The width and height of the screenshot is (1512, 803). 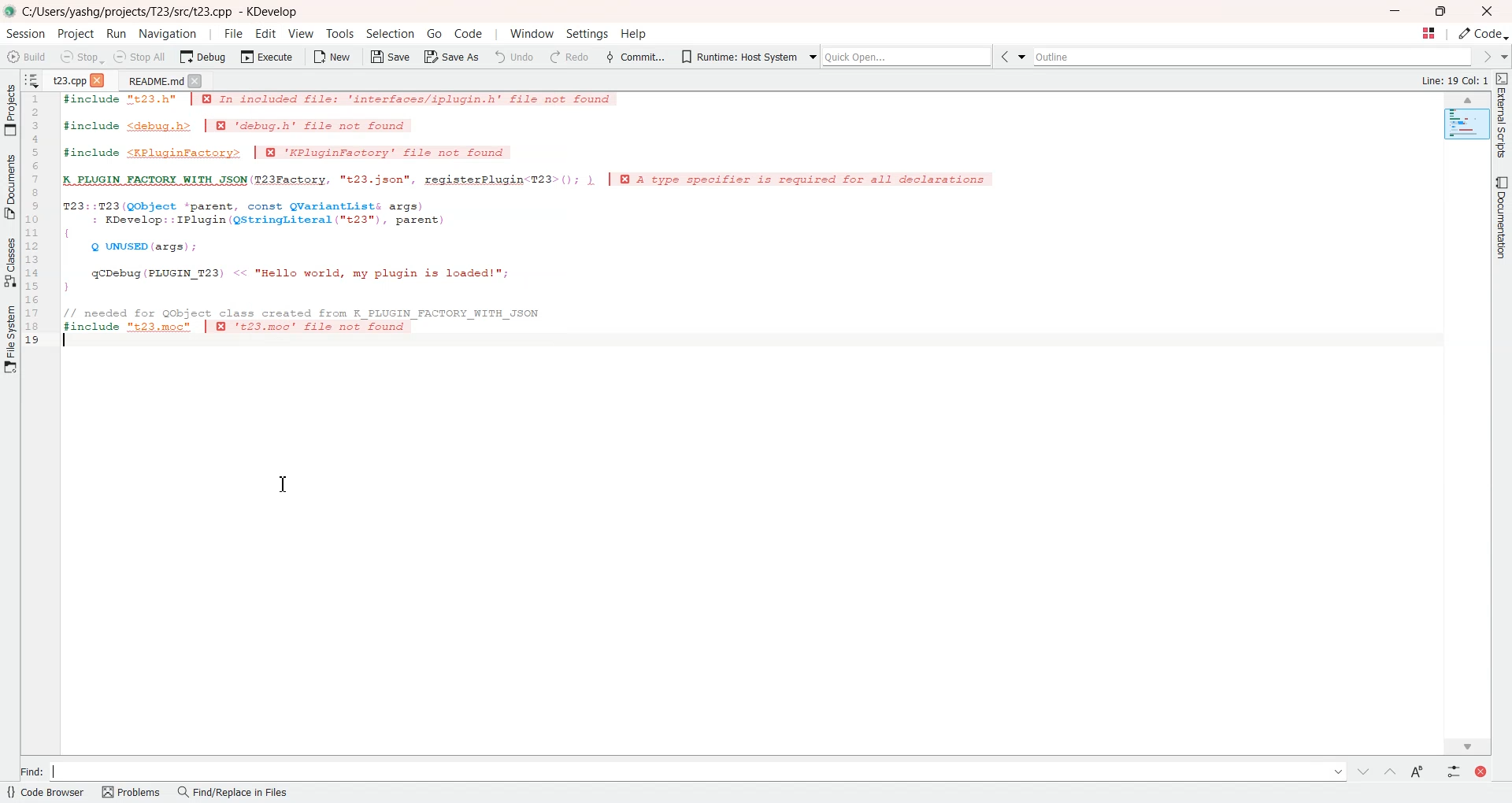 What do you see at coordinates (1484, 34) in the screenshot?
I see `Code` at bounding box center [1484, 34].